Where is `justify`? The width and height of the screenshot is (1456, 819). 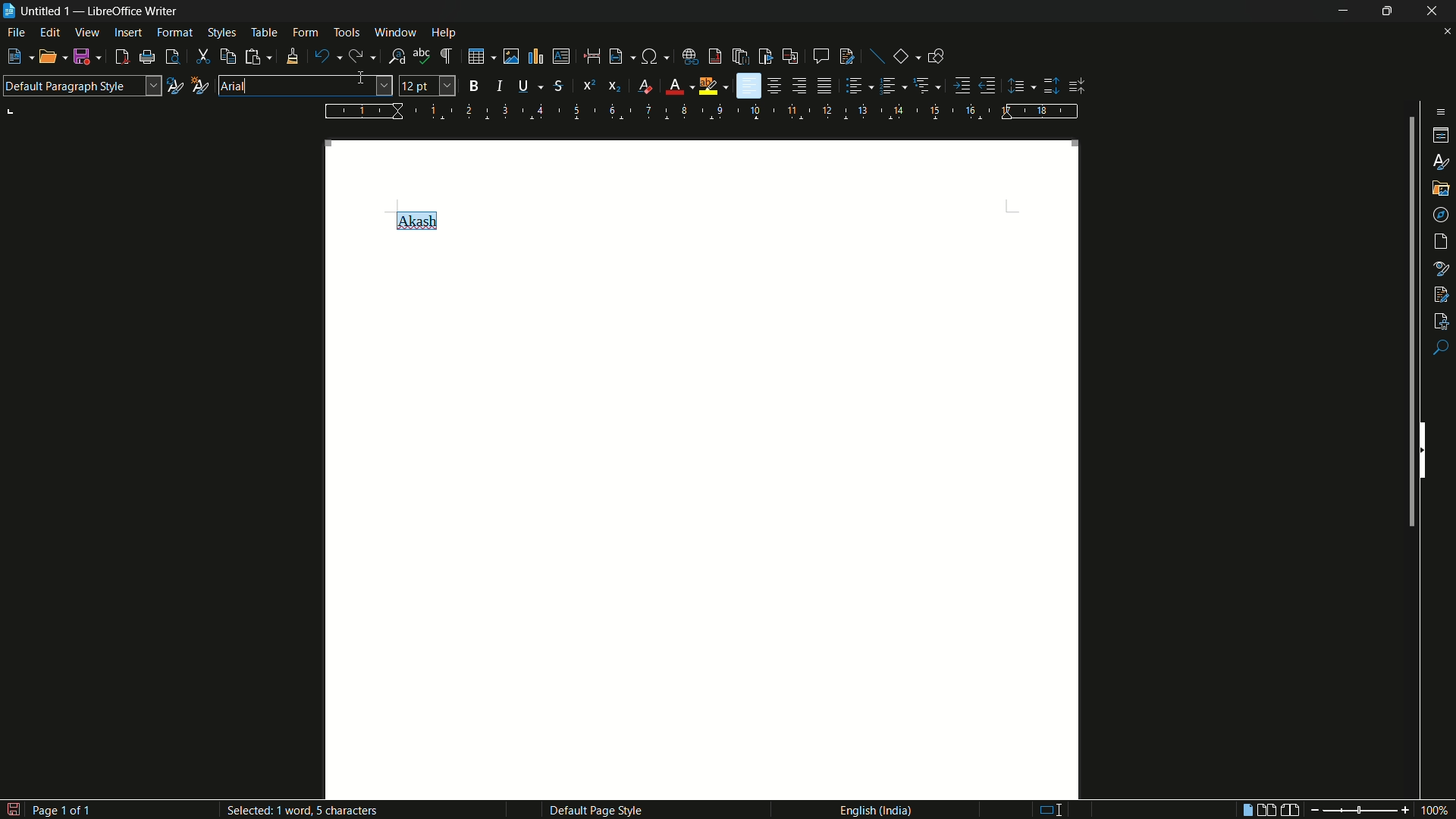
justify is located at coordinates (827, 88).